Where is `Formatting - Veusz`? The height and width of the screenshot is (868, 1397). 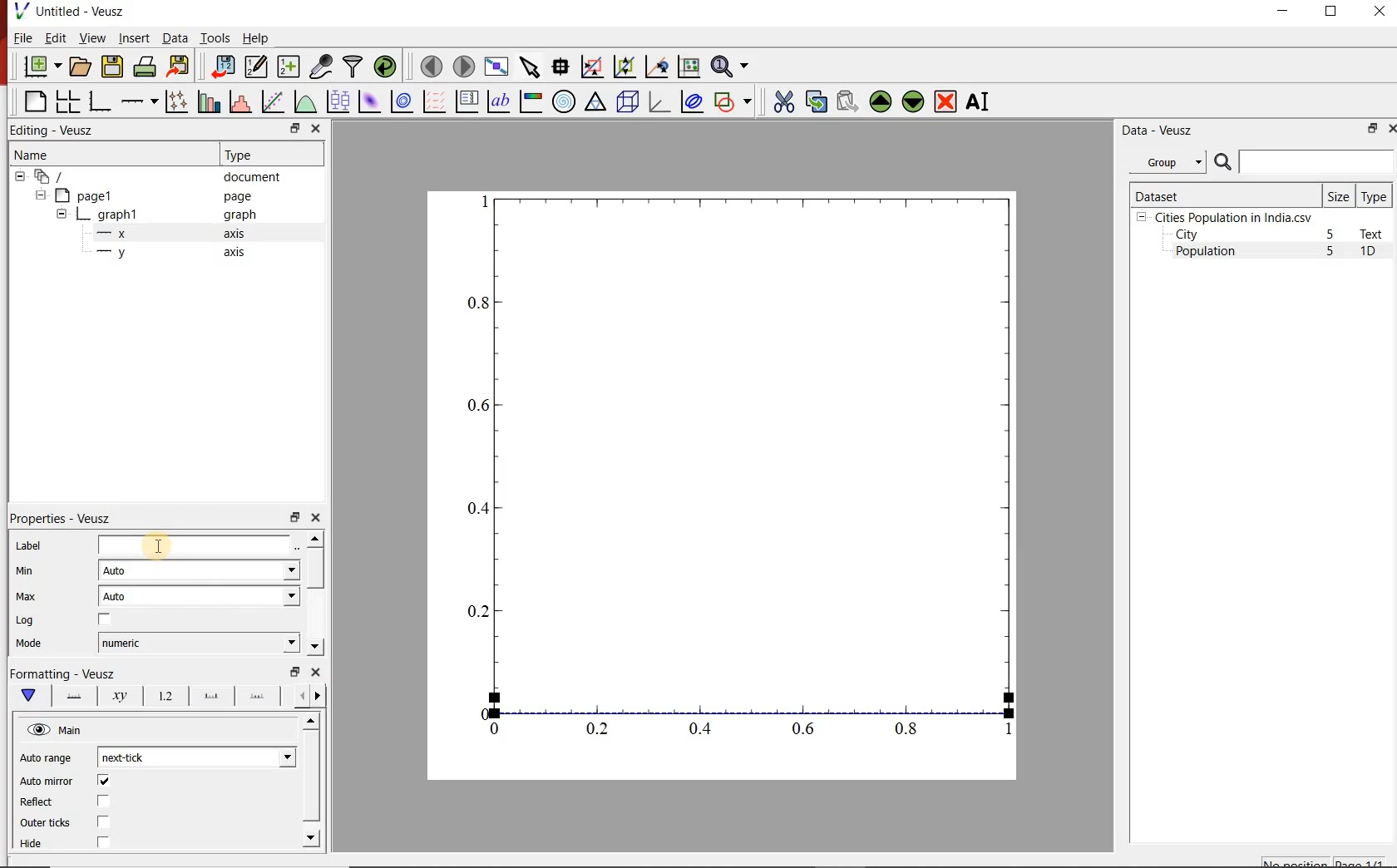 Formatting - Veusz is located at coordinates (64, 674).